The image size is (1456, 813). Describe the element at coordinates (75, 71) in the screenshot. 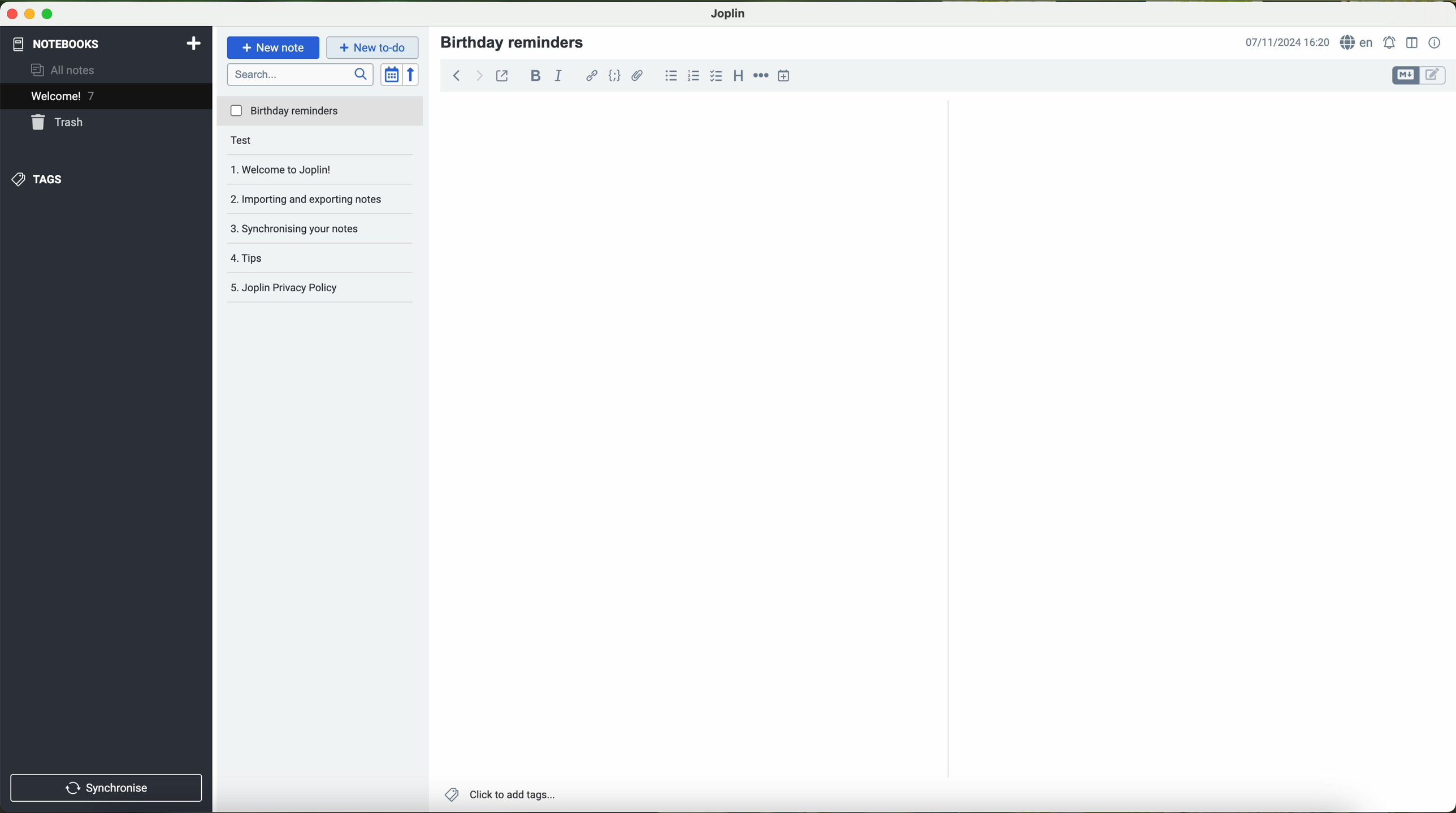

I see `all notes` at that location.